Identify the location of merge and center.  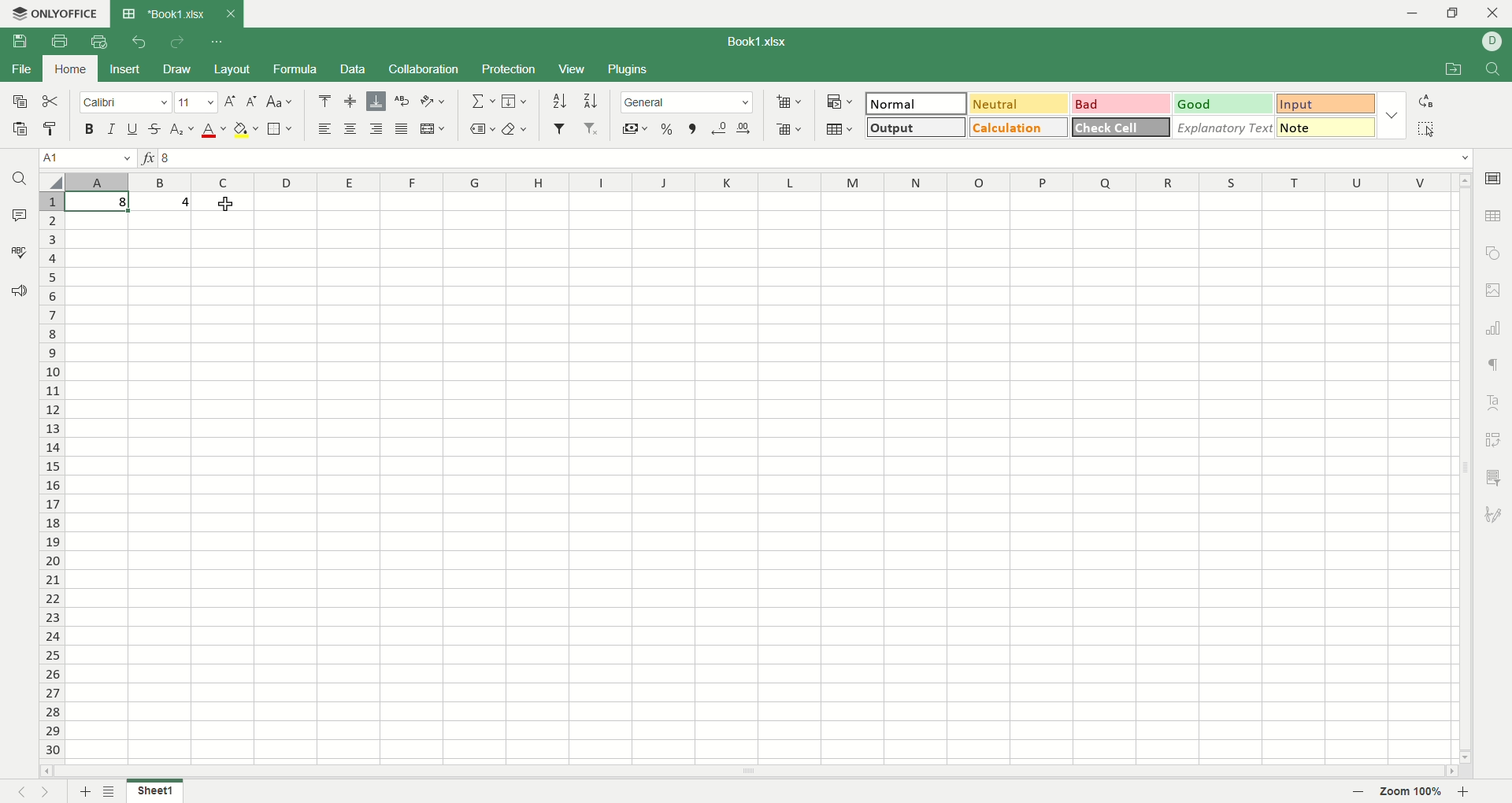
(434, 129).